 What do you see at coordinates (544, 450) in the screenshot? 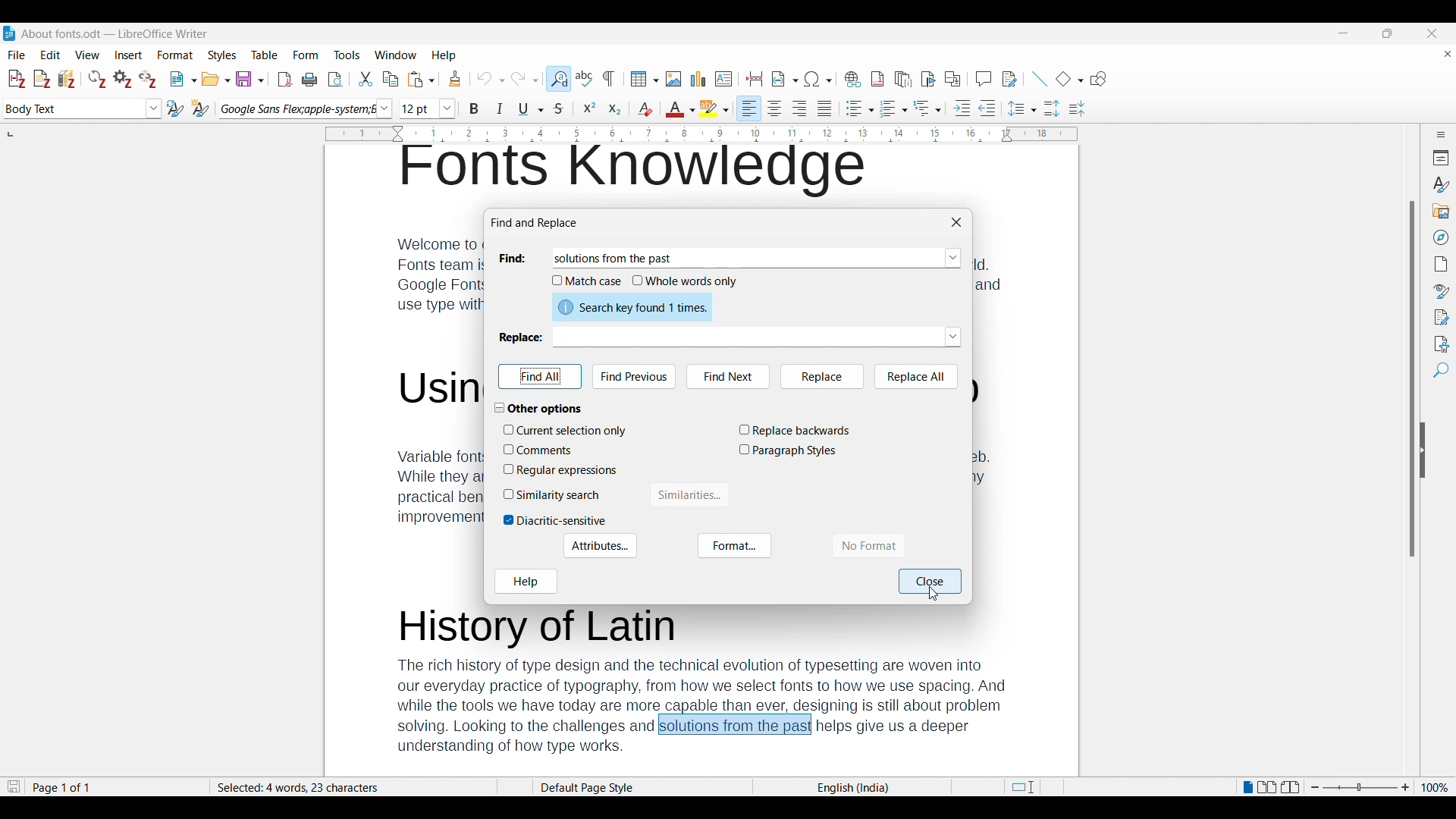
I see `Toggle for comments` at bounding box center [544, 450].